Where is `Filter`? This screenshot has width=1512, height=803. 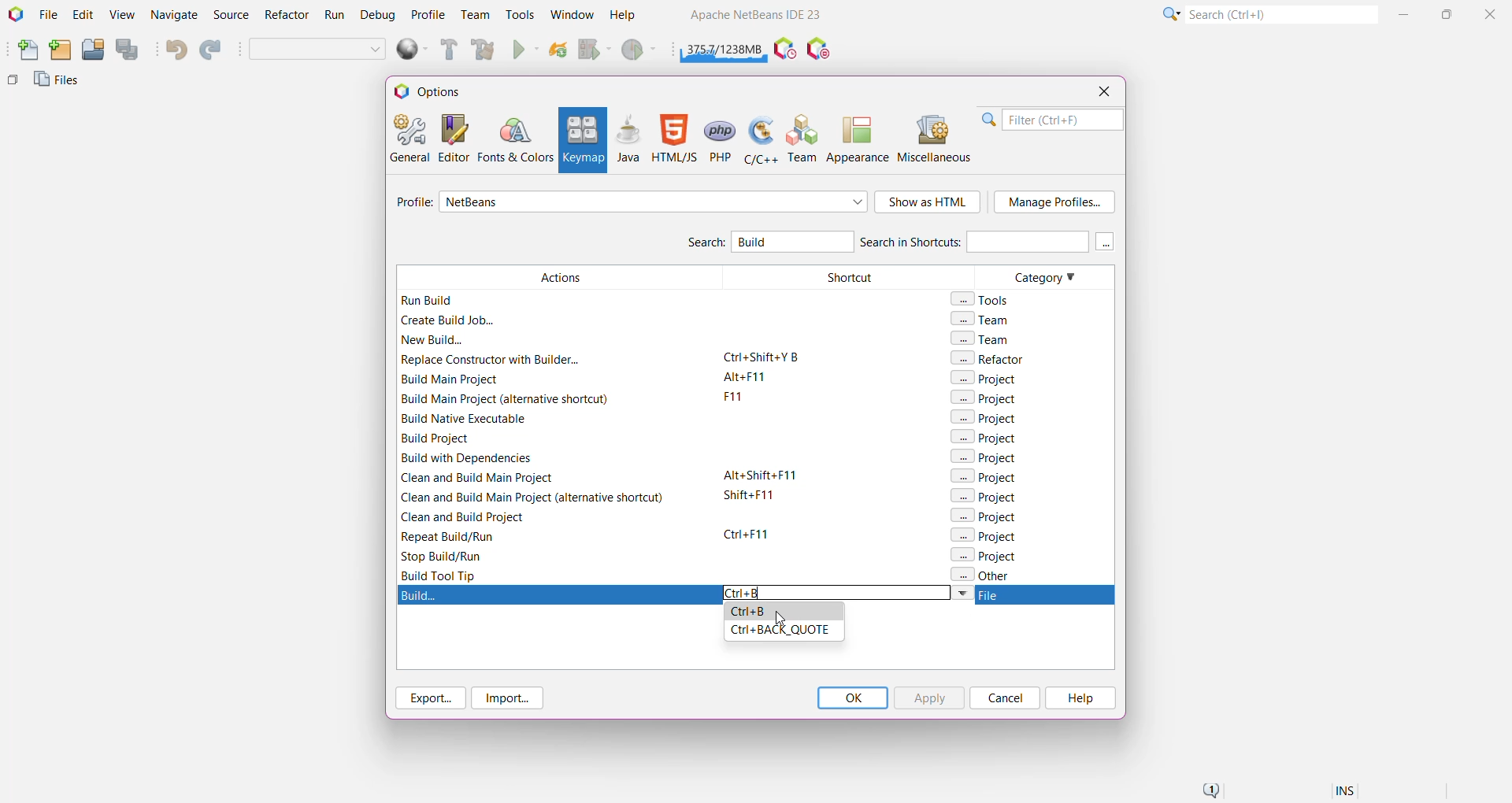 Filter is located at coordinates (1052, 120).